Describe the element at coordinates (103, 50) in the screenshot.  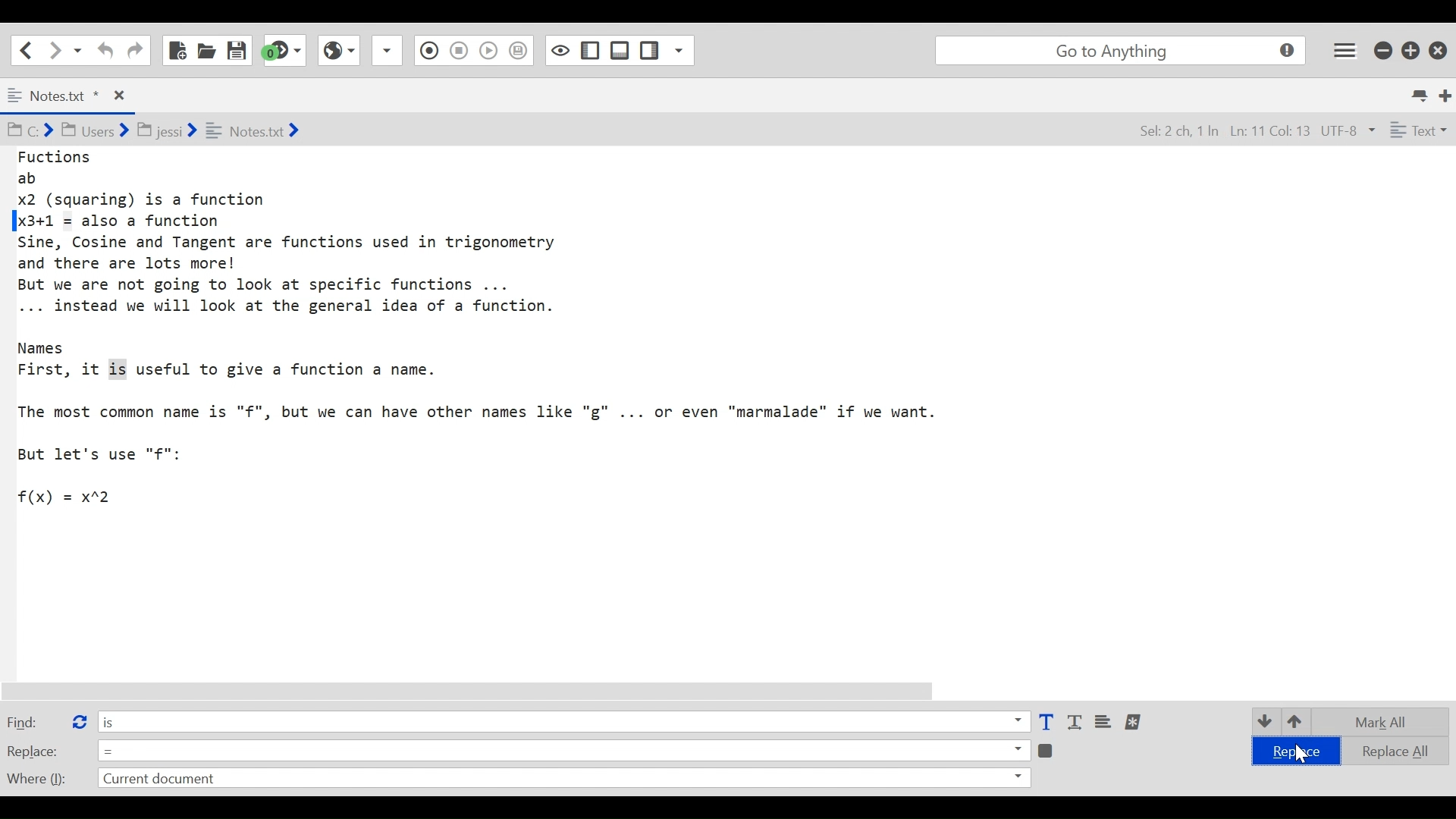
I see `Undo` at that location.